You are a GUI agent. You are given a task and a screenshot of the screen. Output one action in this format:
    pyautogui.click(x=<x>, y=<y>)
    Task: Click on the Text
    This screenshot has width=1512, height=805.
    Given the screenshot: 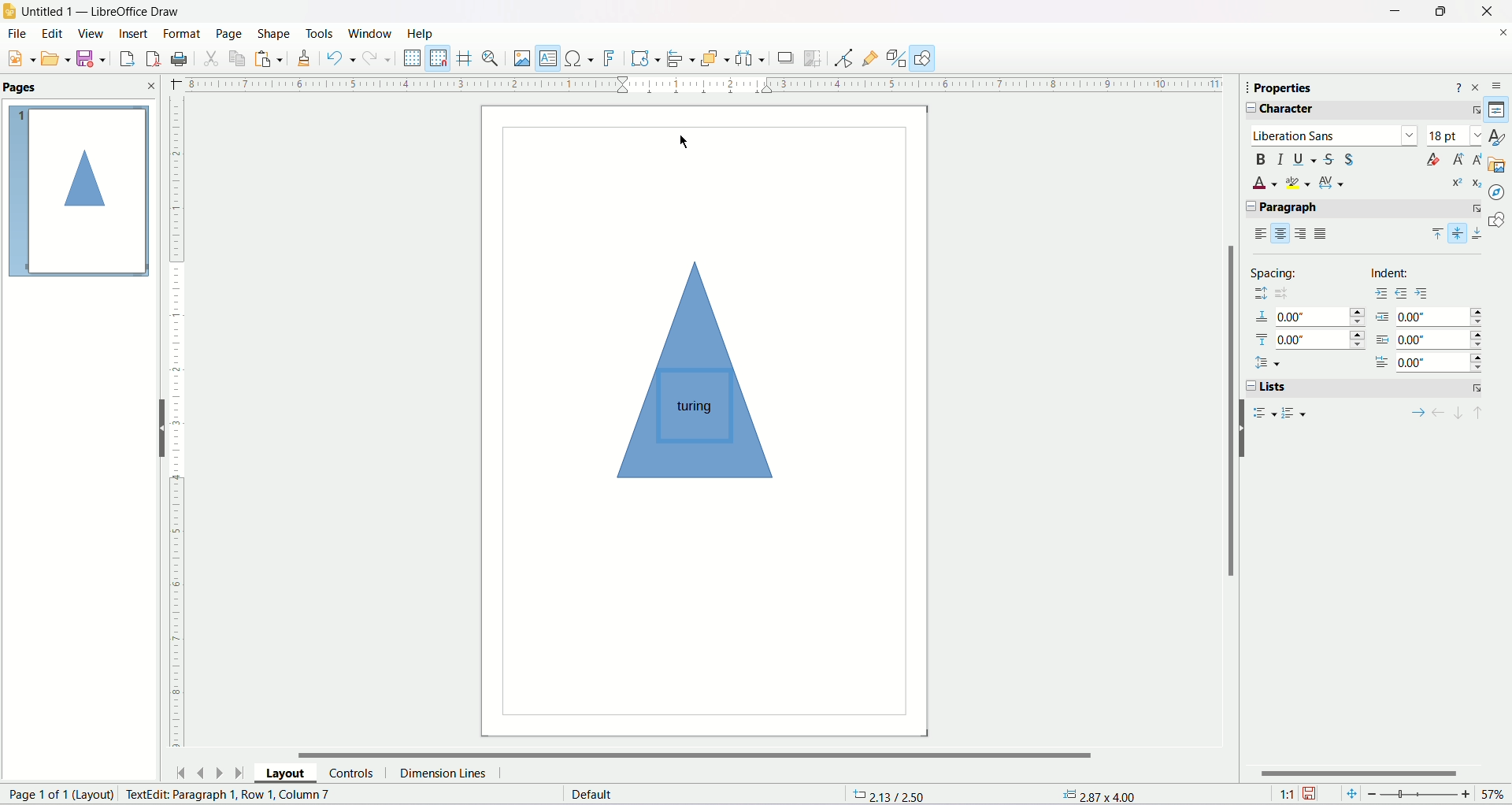 What is the action you would take?
    pyautogui.click(x=894, y=796)
    